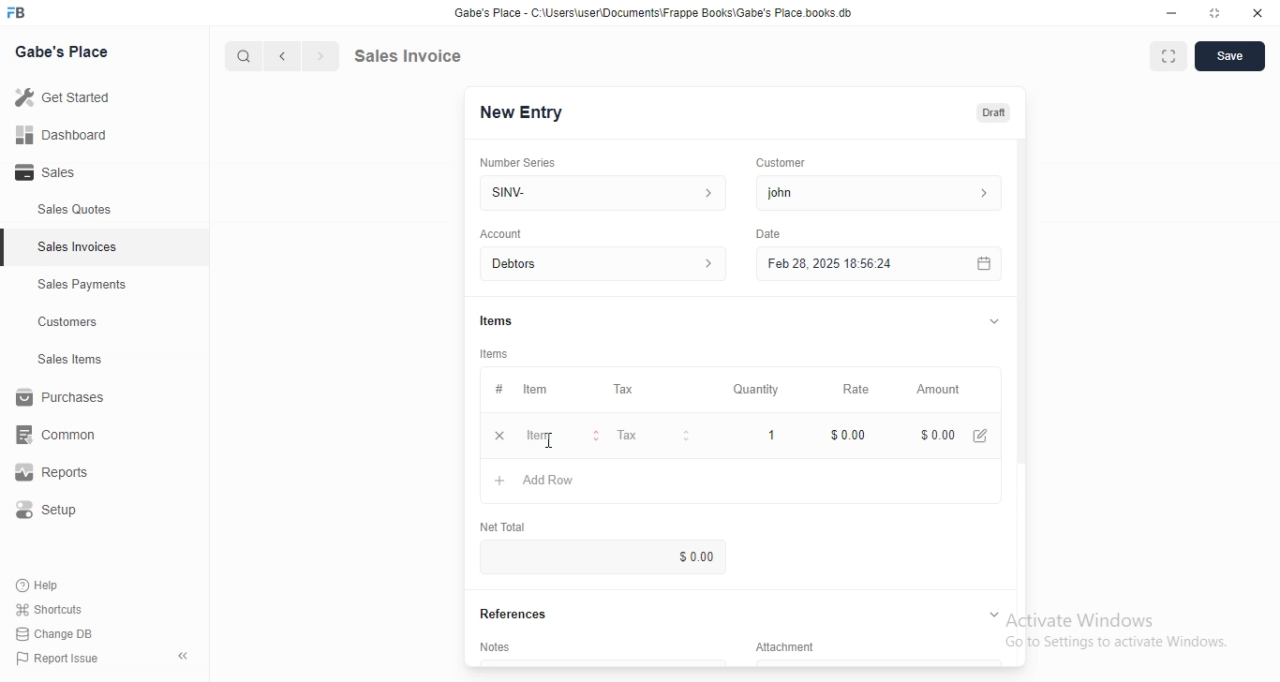 This screenshot has width=1280, height=682. Describe the element at coordinates (528, 112) in the screenshot. I see `New Entry` at that location.